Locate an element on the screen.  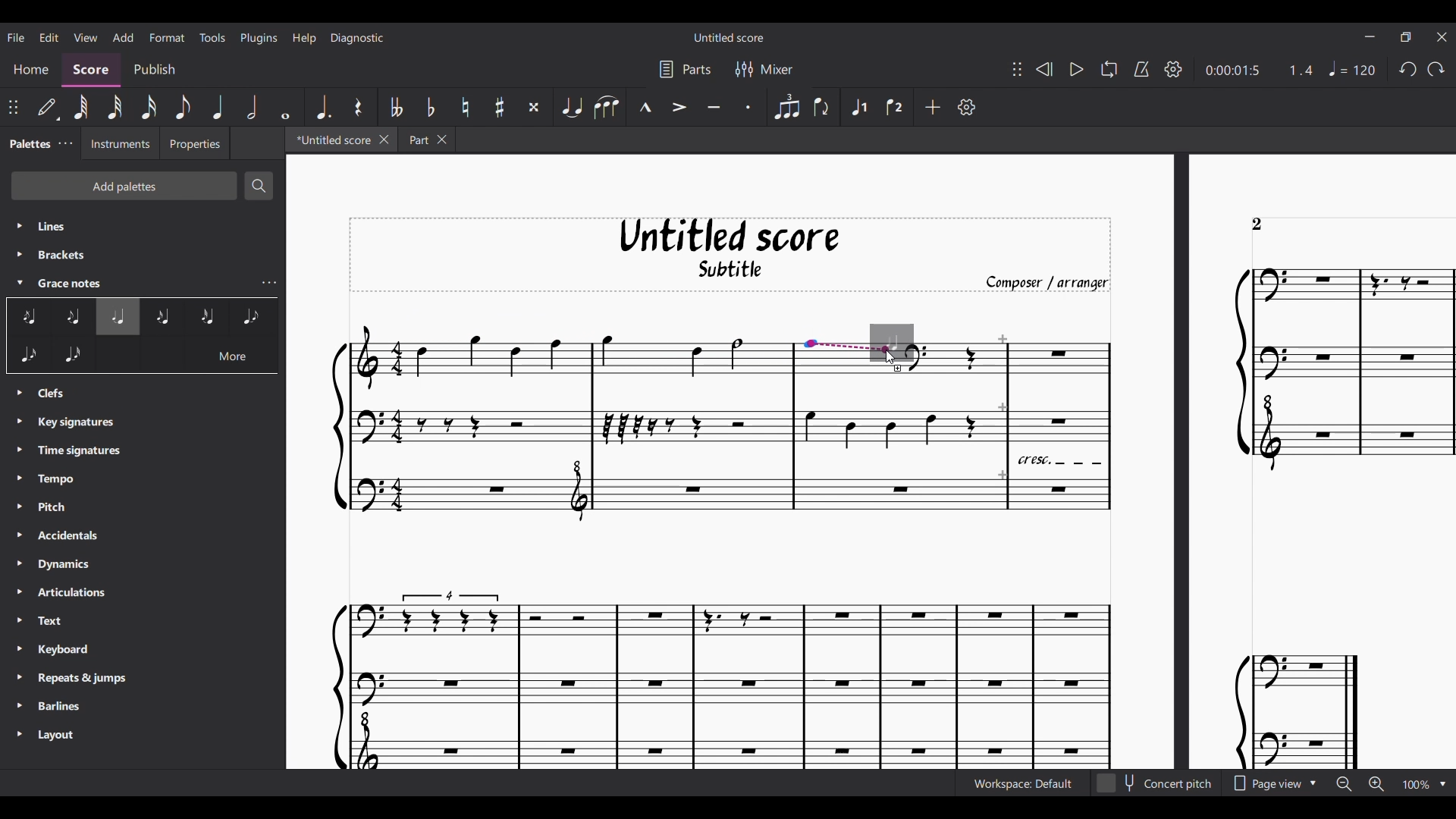
Looping playback is located at coordinates (1109, 69).